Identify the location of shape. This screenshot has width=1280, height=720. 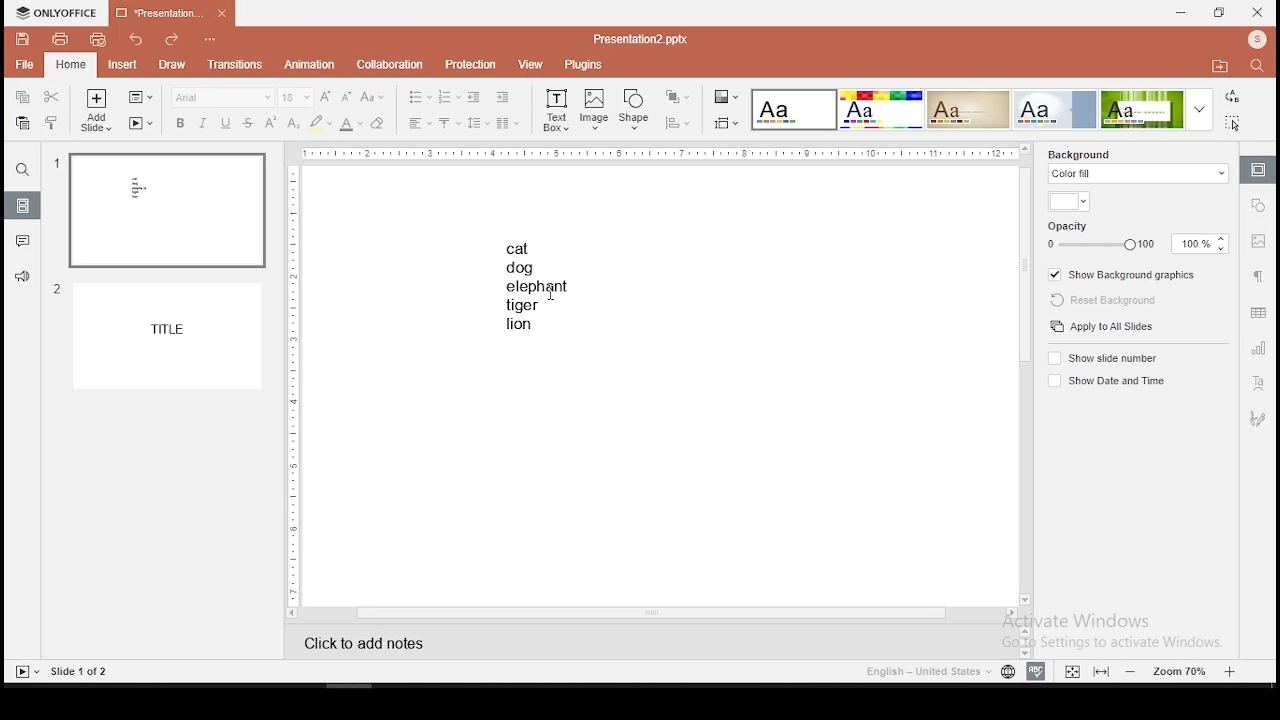
(635, 110).